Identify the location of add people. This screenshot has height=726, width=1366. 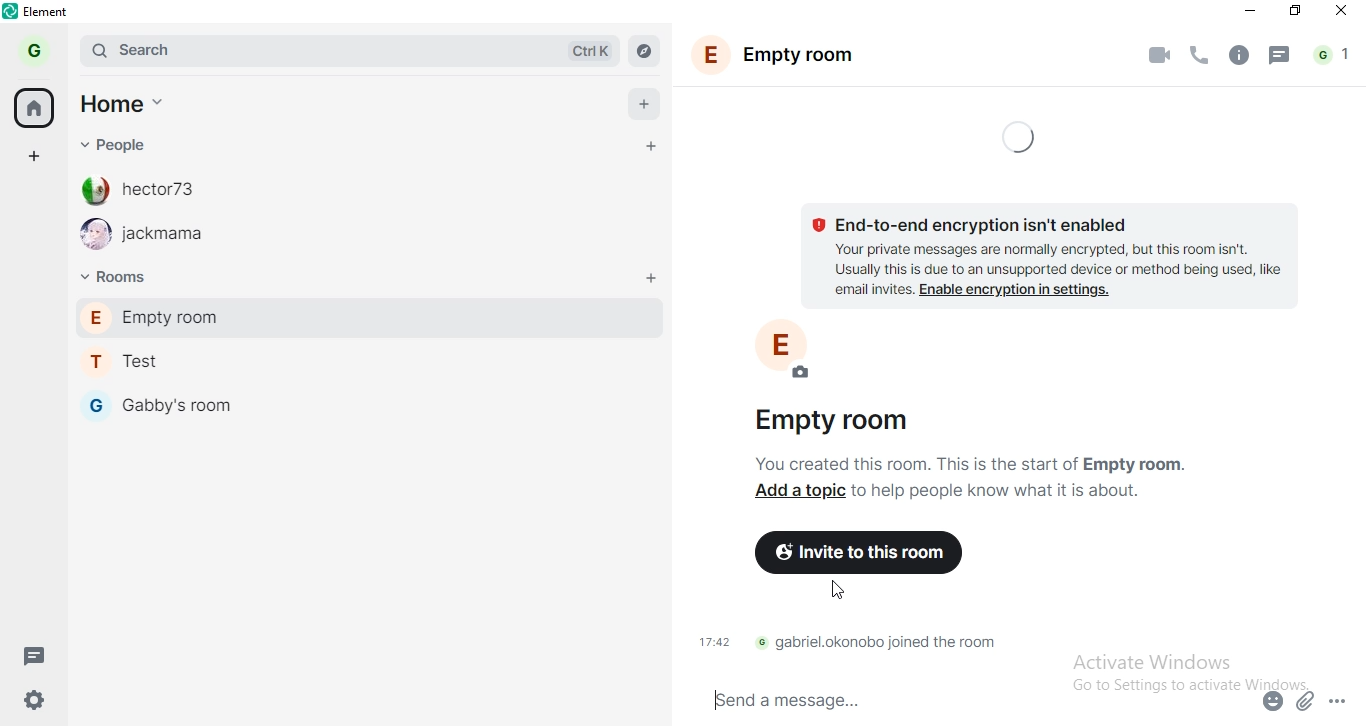
(648, 145).